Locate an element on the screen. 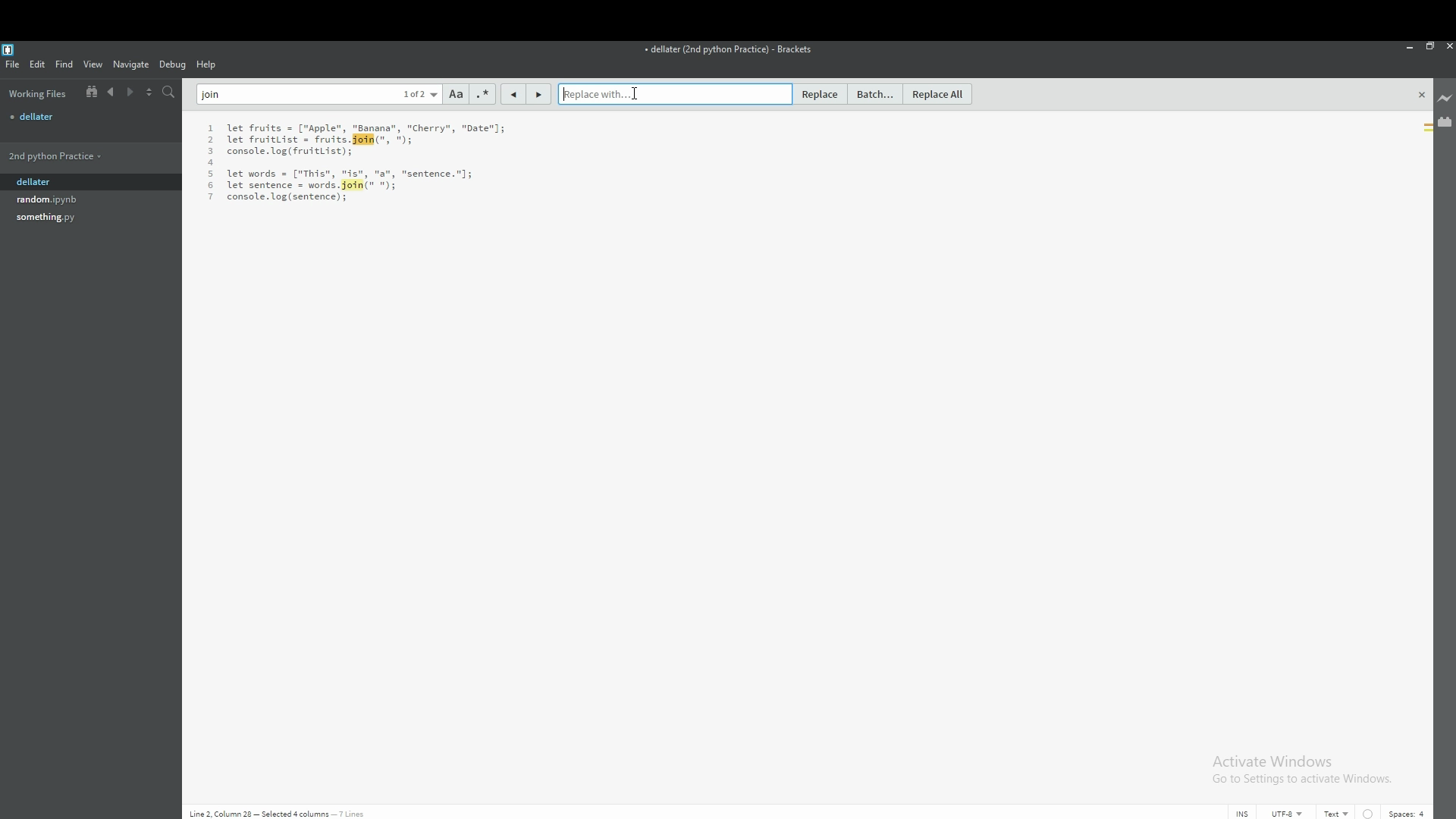 This screenshot has width=1456, height=819. match case is located at coordinates (457, 95).